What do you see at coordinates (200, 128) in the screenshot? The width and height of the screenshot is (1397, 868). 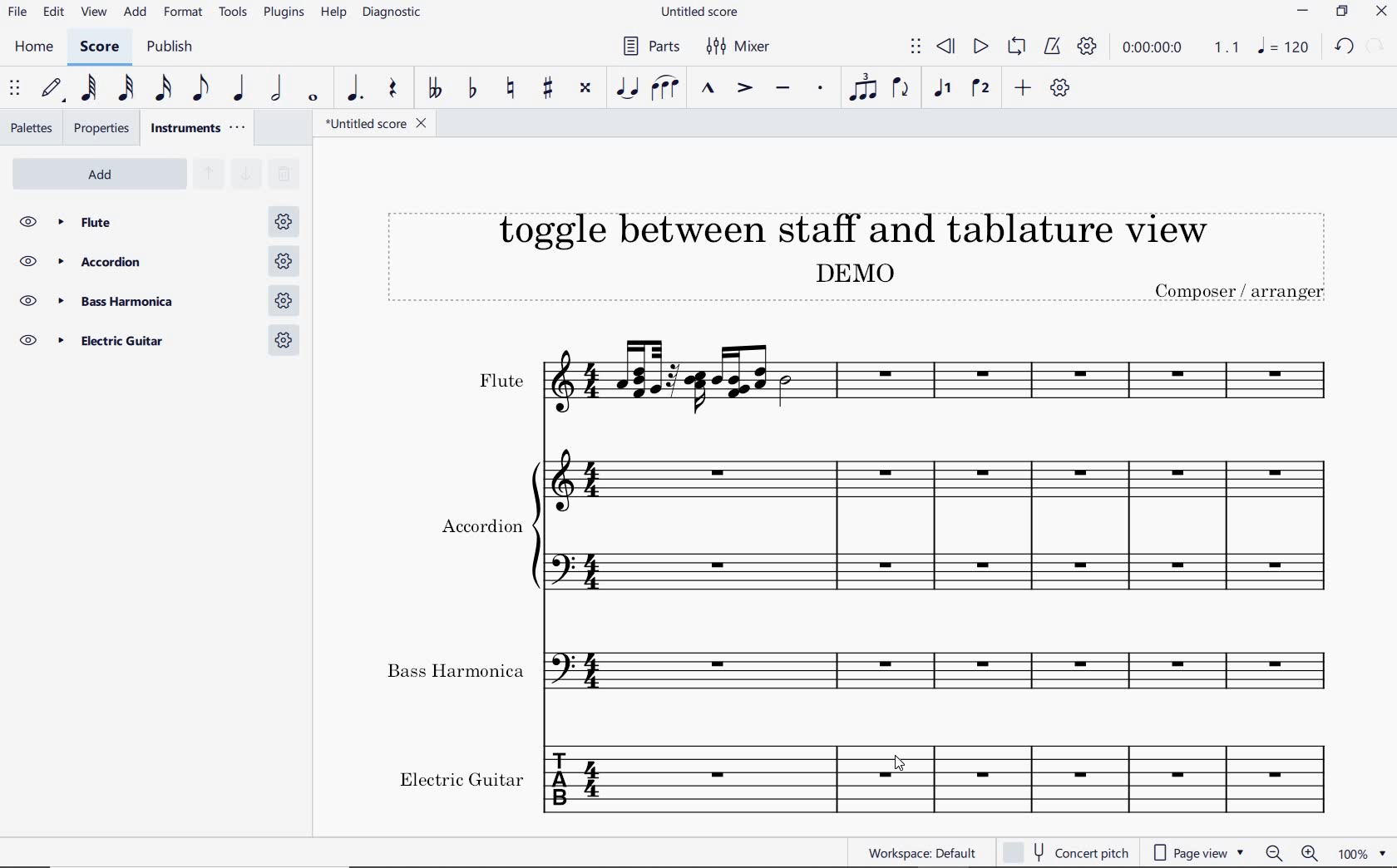 I see `instruments` at bounding box center [200, 128].